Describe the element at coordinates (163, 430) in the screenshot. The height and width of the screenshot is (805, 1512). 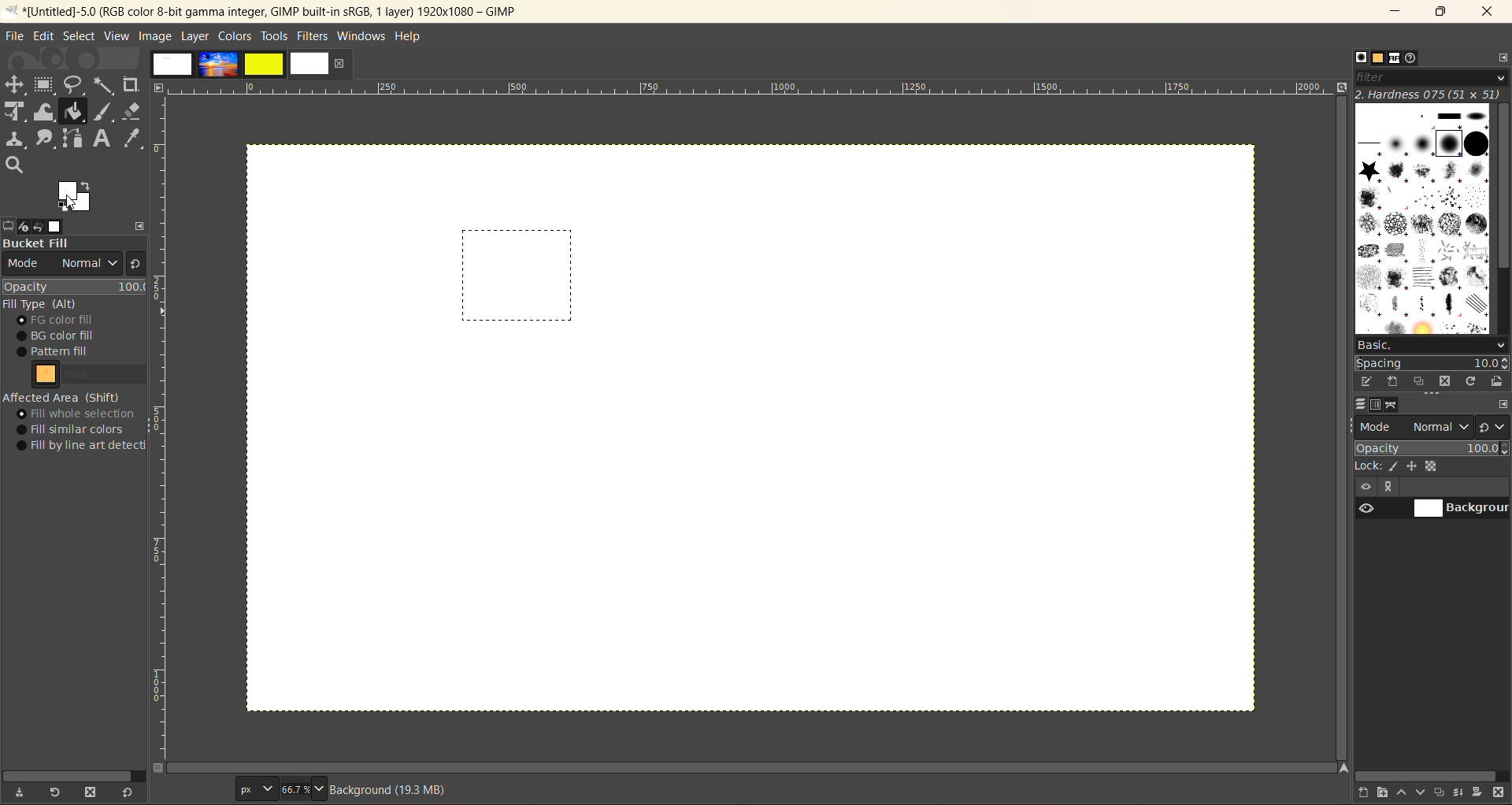
I see `scale` at that location.